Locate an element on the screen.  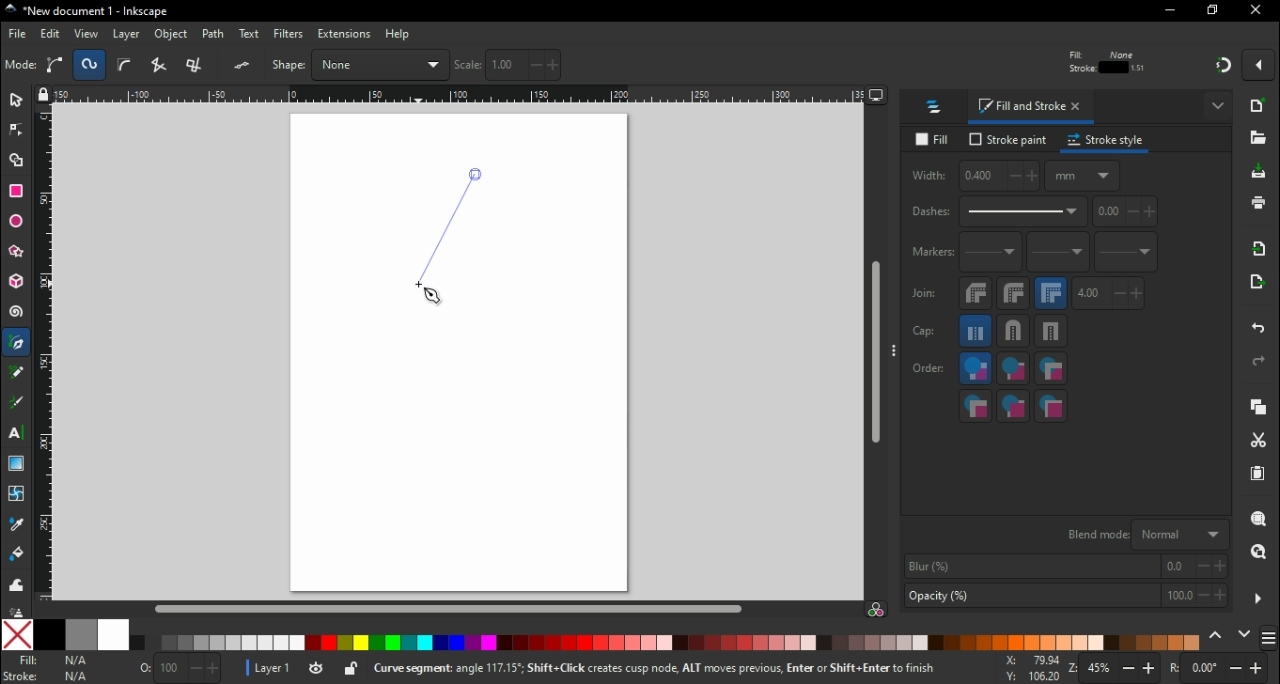
blur is located at coordinates (1067, 566).